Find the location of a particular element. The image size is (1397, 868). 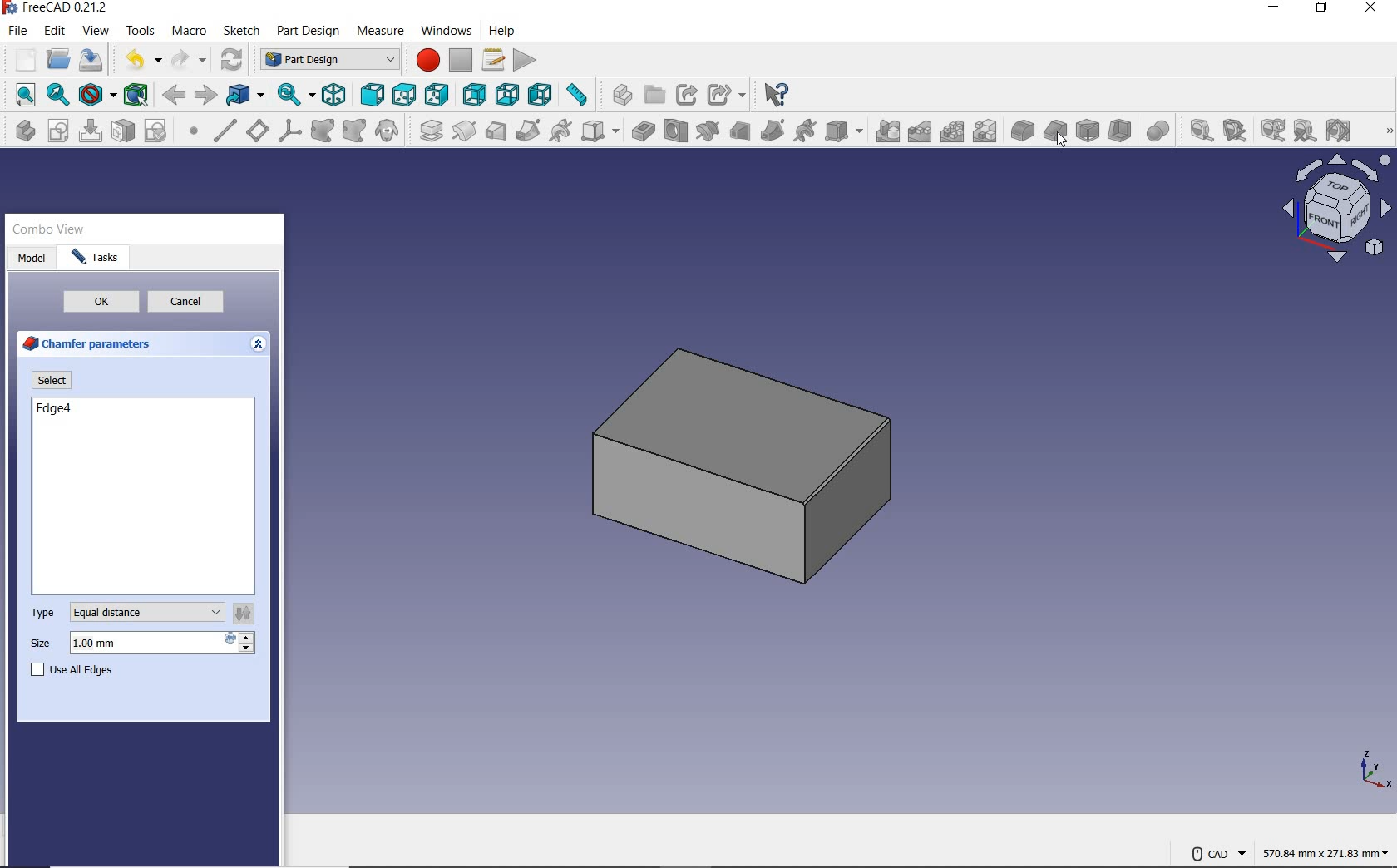

make sub-link is located at coordinates (726, 94).